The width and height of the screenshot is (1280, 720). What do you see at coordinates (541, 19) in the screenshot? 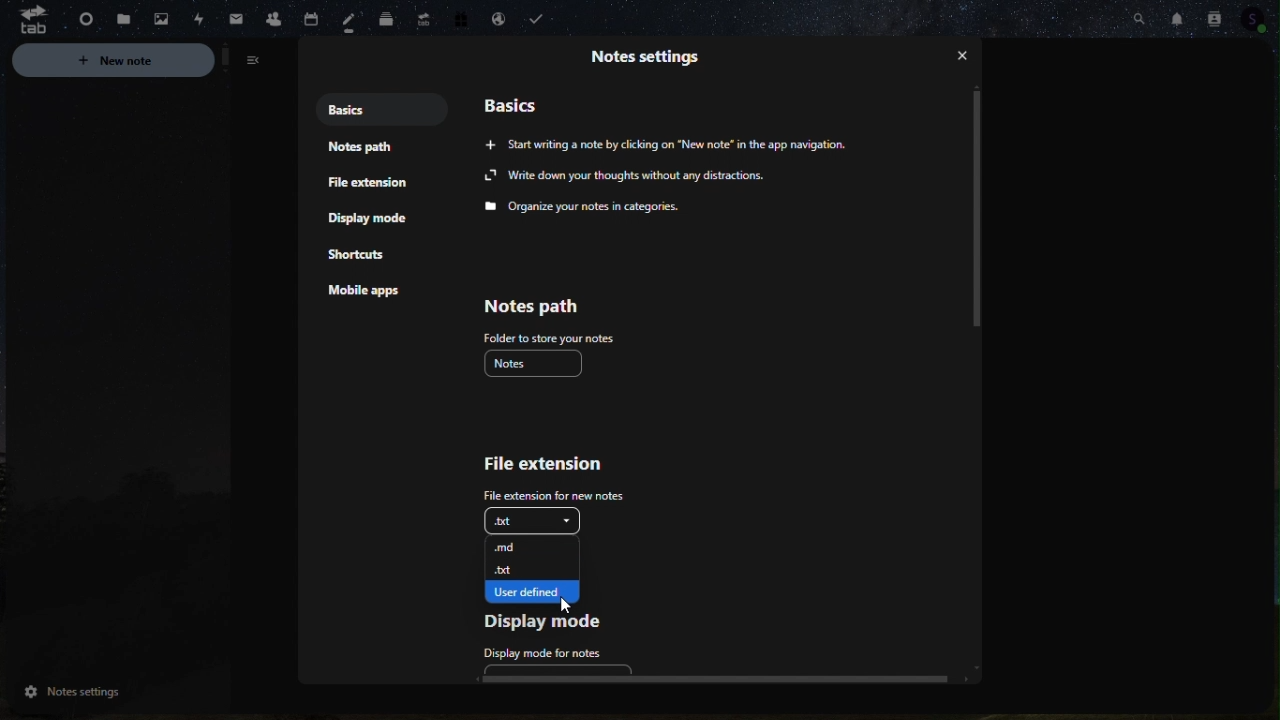
I see `Task` at bounding box center [541, 19].